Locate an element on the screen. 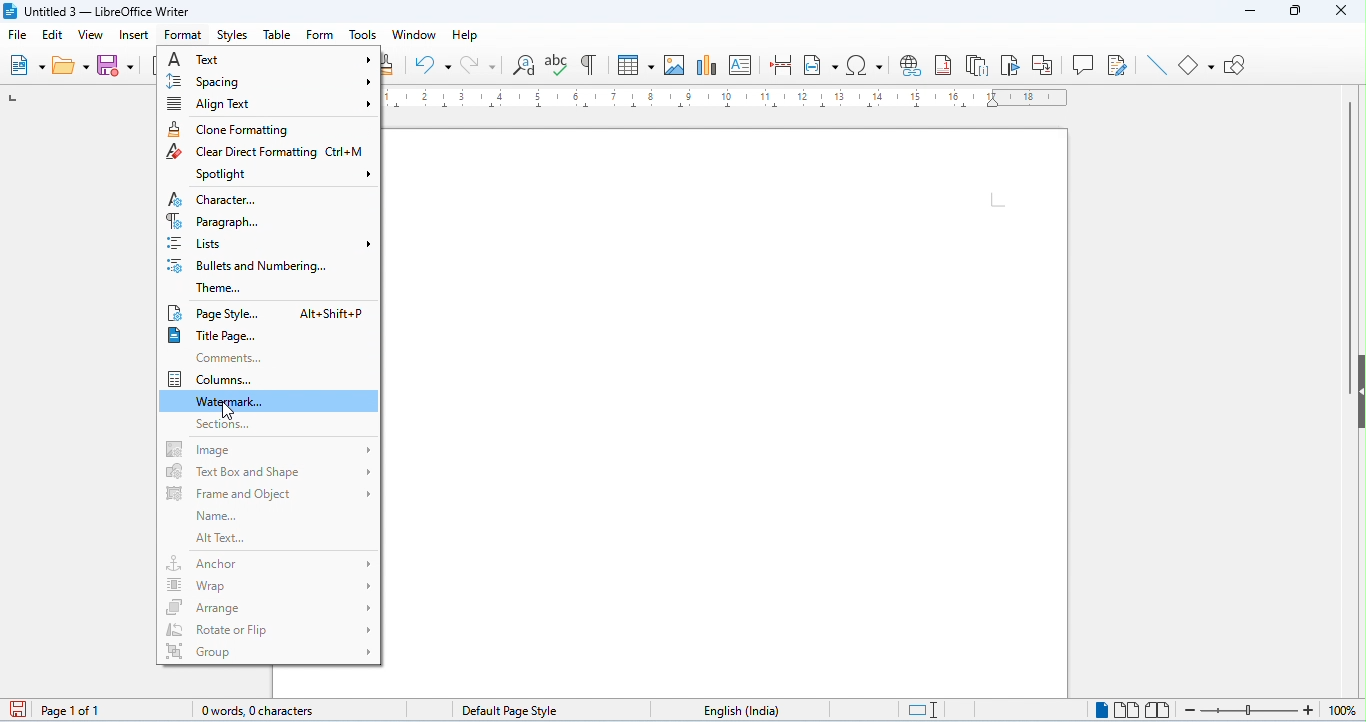 This screenshot has width=1366, height=722. help is located at coordinates (465, 36).